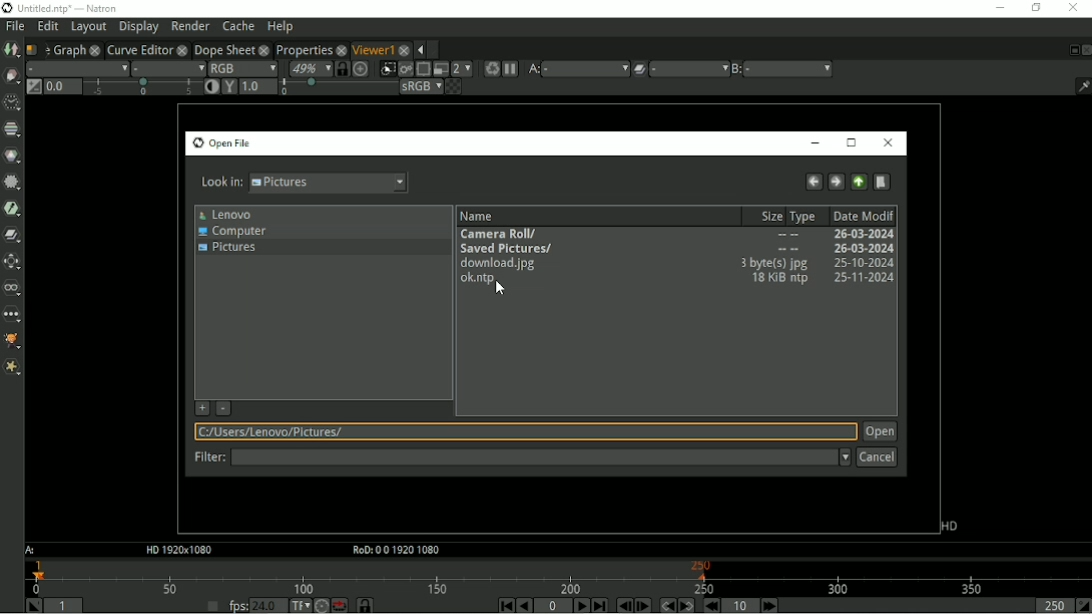 The image size is (1092, 614). I want to click on Switch between "neutral" 1.0 gain f-stop and the previous setting, so click(32, 86).